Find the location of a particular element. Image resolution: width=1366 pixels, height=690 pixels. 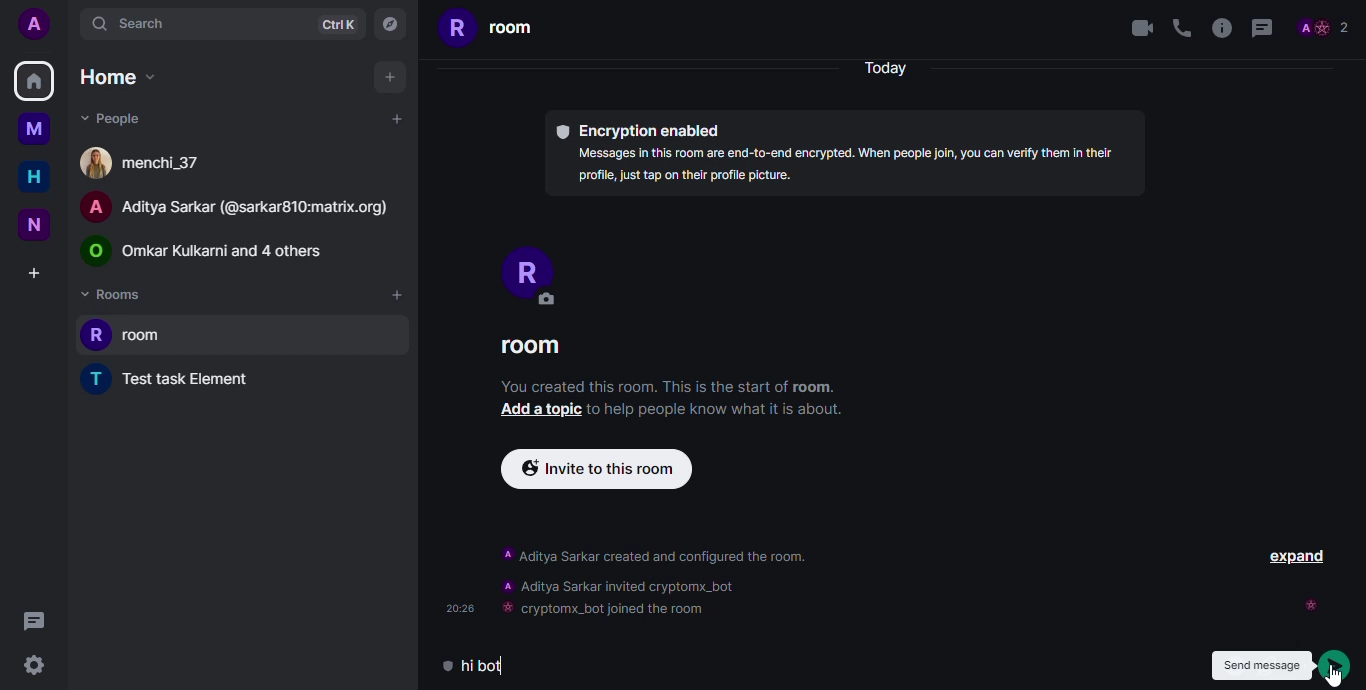

video call is located at coordinates (1134, 29).